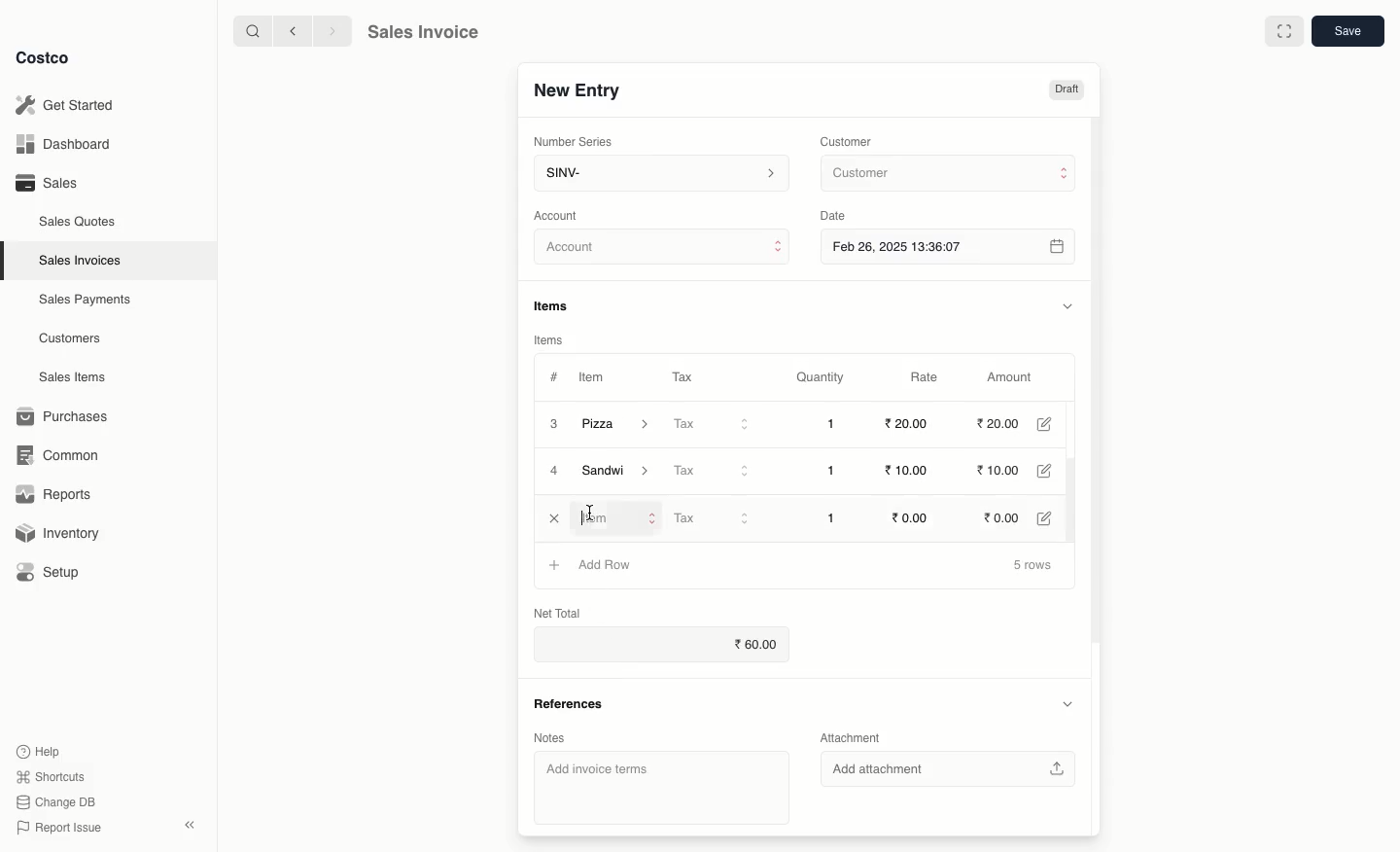 This screenshot has height=852, width=1400. What do you see at coordinates (954, 770) in the screenshot?
I see `‘Add attachment` at bounding box center [954, 770].